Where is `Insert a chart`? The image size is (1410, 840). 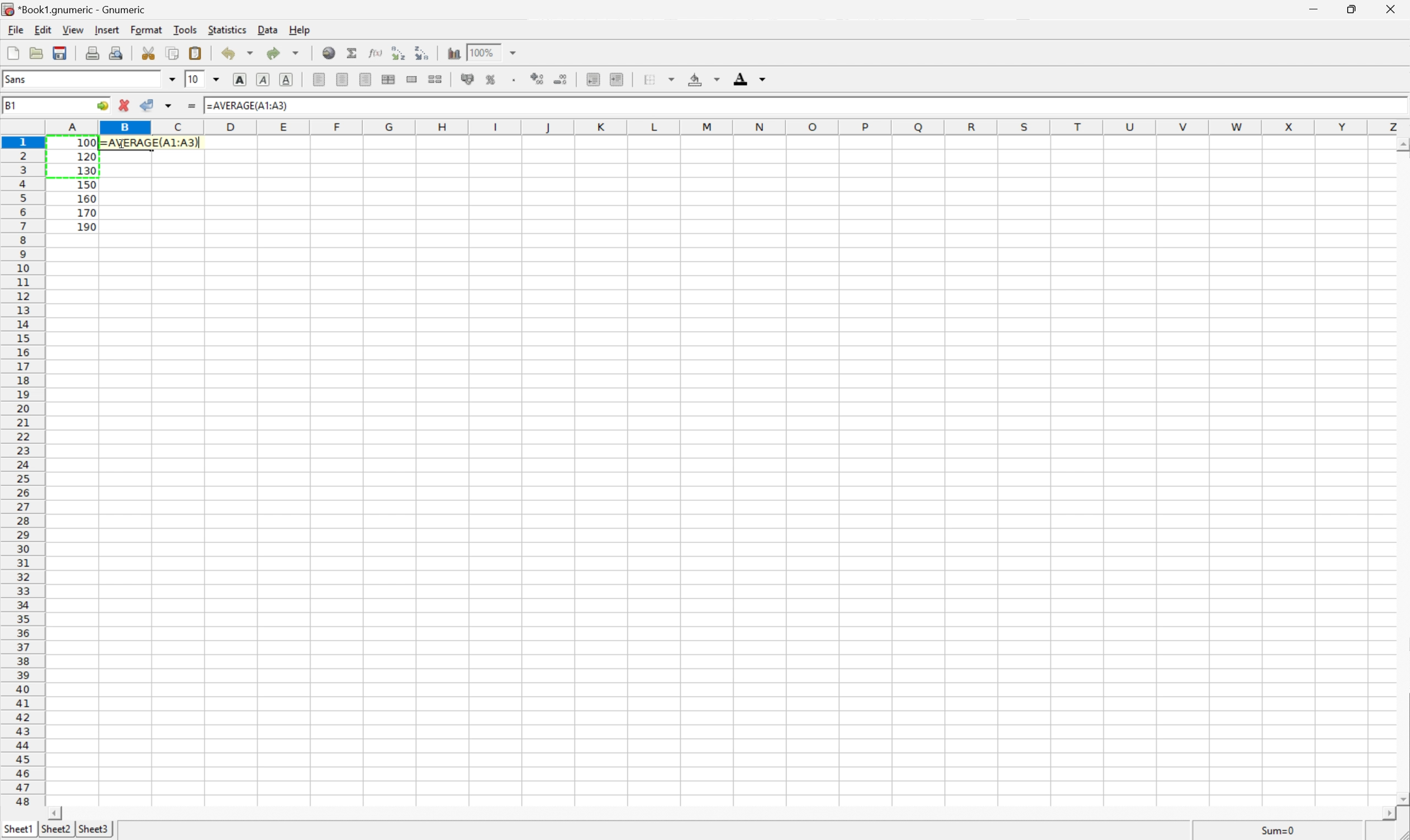
Insert a chart is located at coordinates (453, 52).